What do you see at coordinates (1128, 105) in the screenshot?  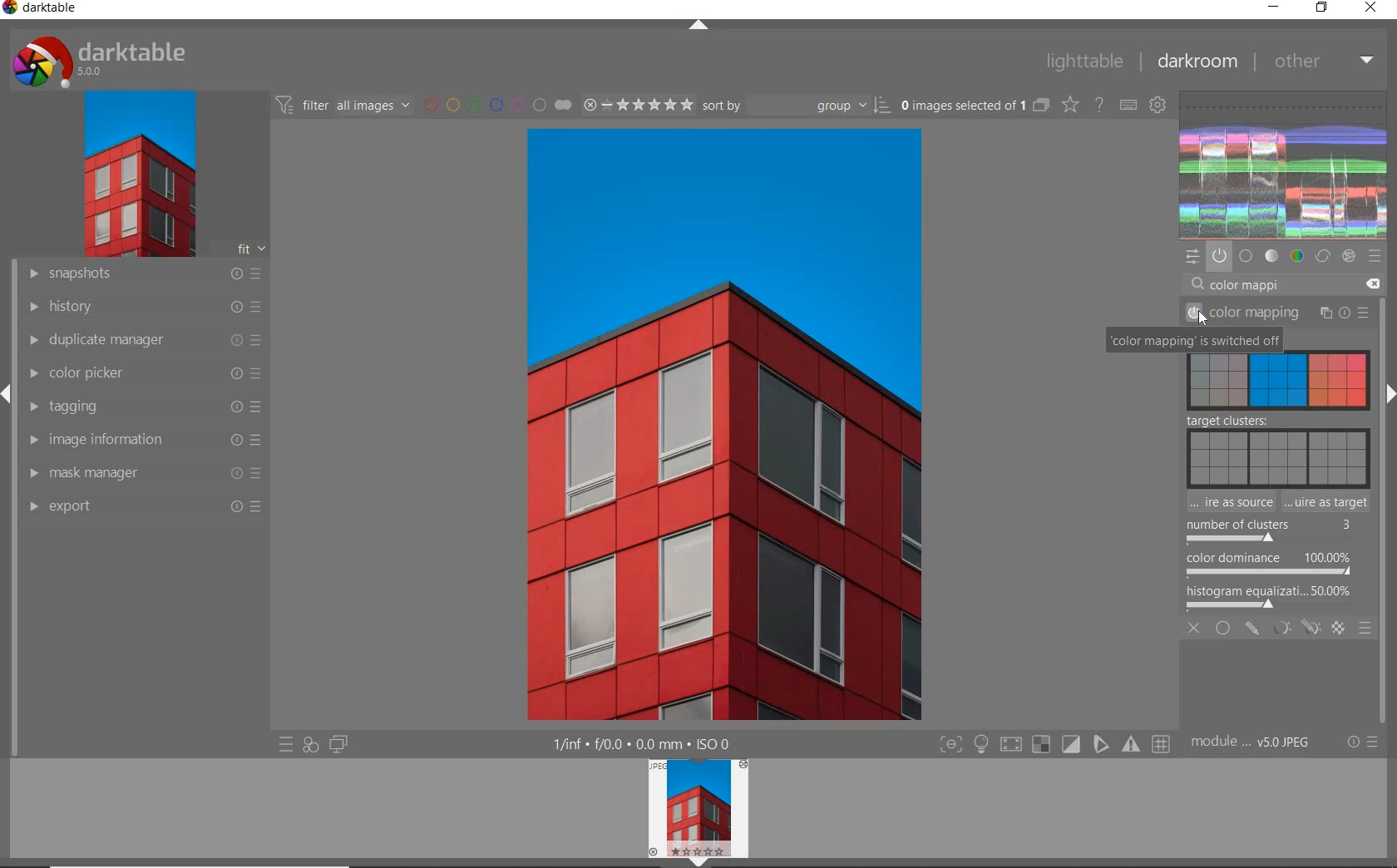 I see `define keyboard shortcut` at bounding box center [1128, 105].